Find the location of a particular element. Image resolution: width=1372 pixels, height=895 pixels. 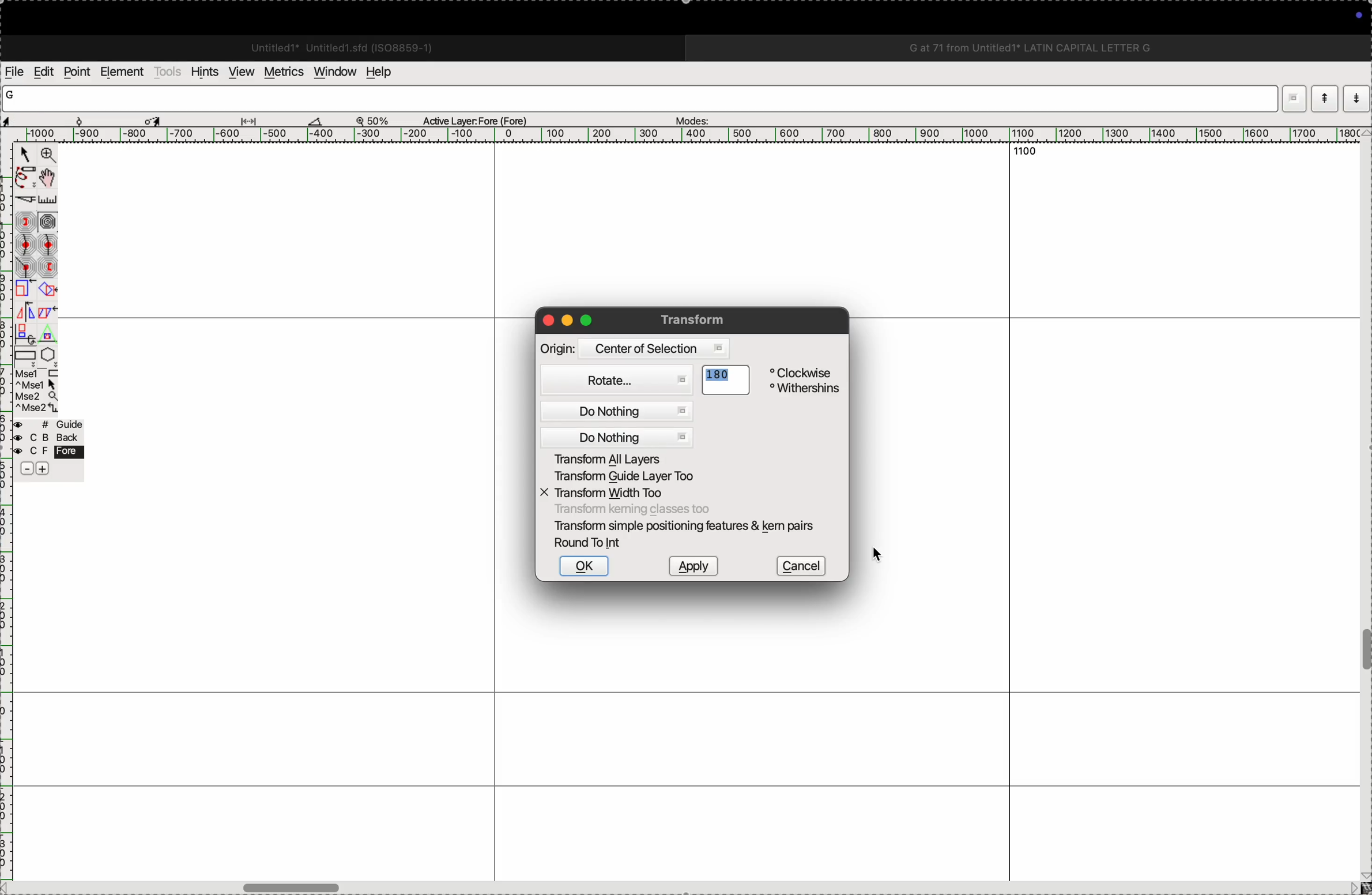

horizontal scrollbar is located at coordinates (677, 885).